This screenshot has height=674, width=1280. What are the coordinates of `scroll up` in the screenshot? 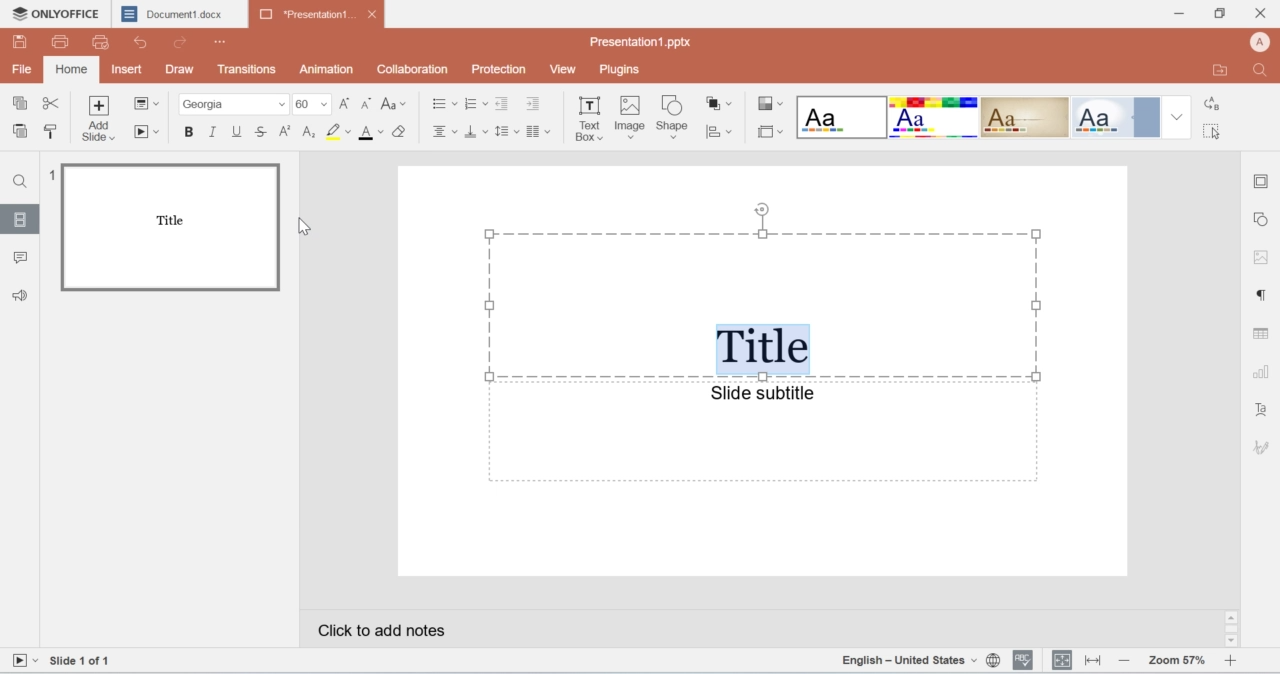 It's located at (1232, 617).